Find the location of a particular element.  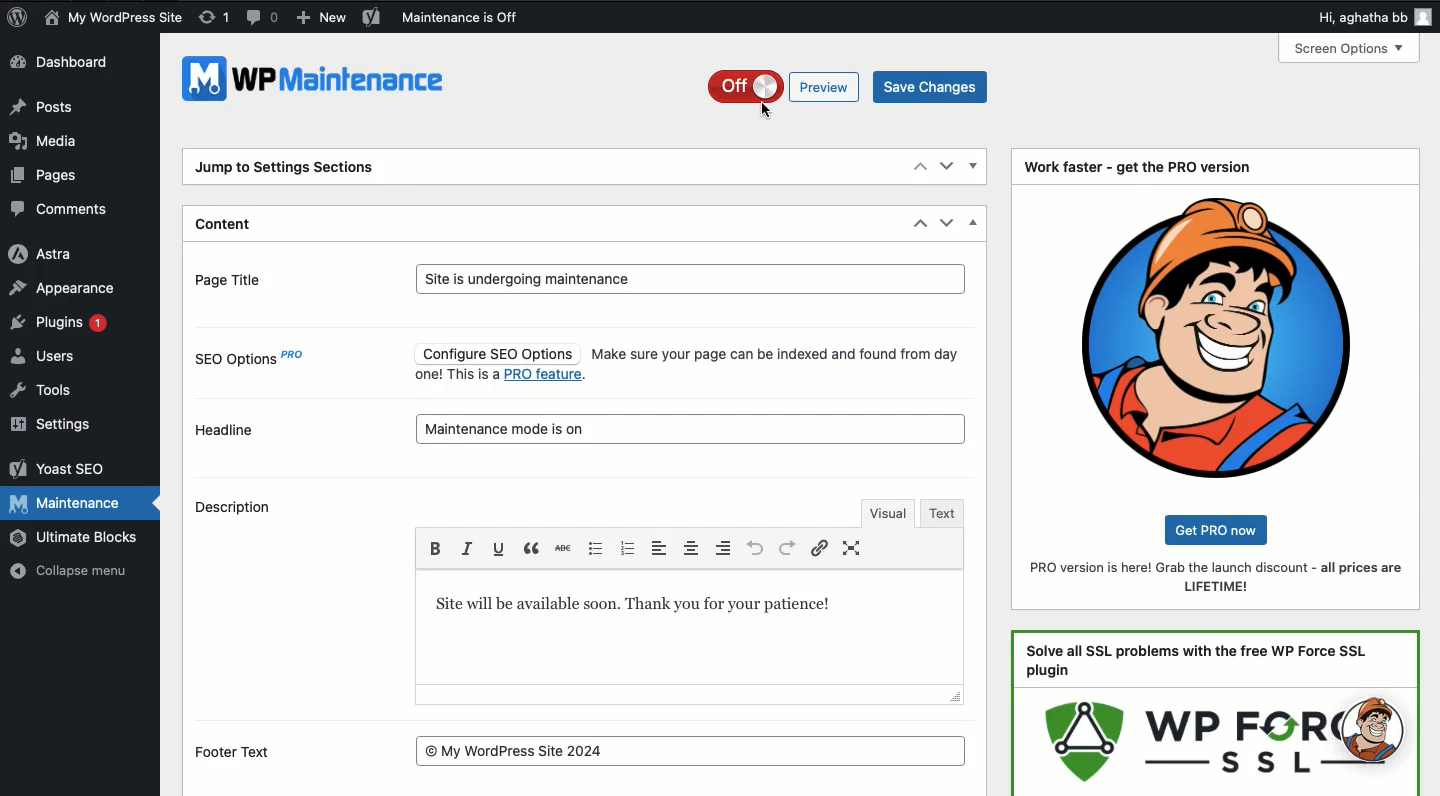

Settings is located at coordinates (56, 425).